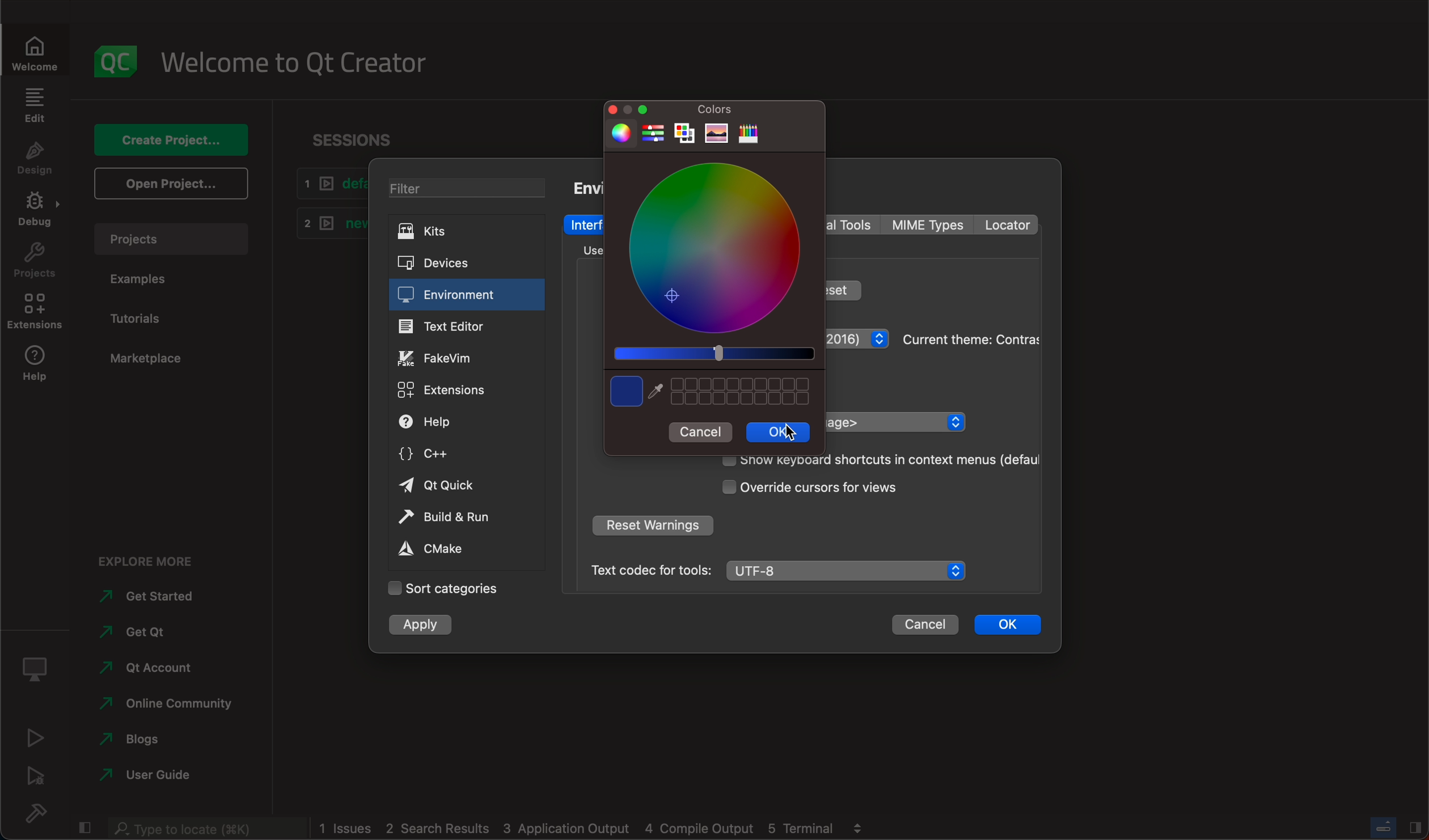 This screenshot has height=840, width=1429. I want to click on online, so click(168, 701).